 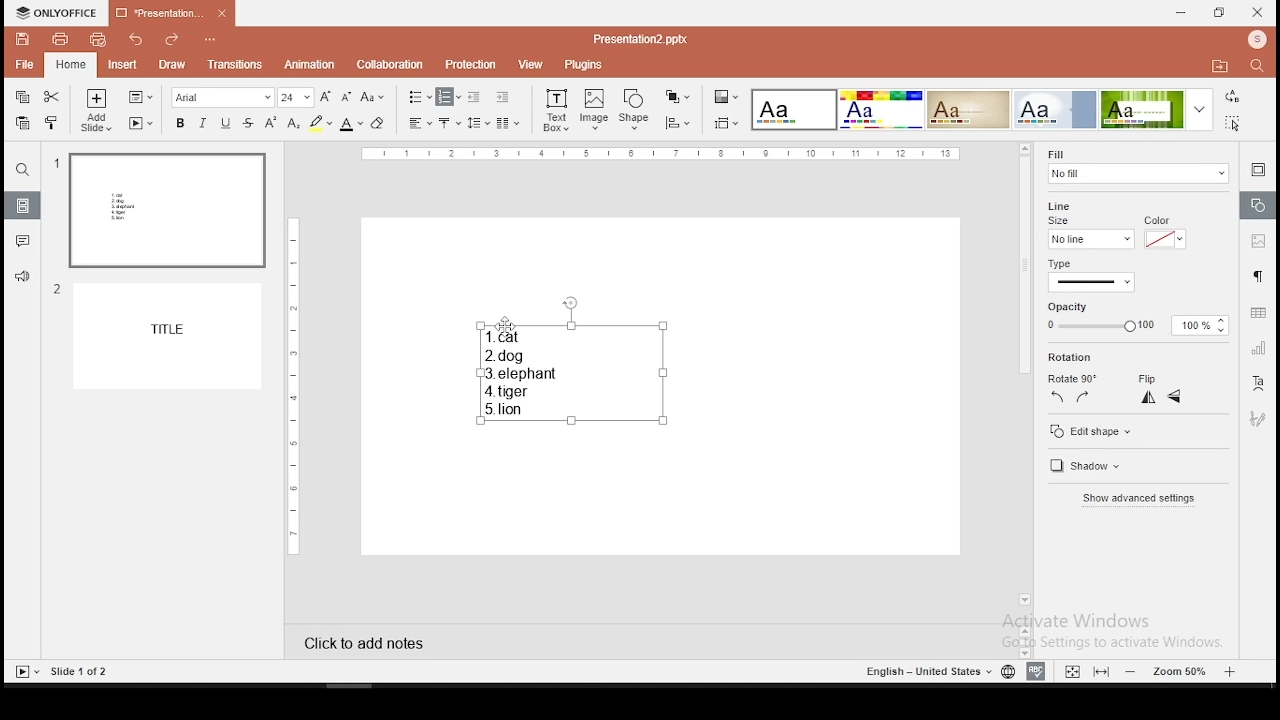 I want to click on icon, so click(x=57, y=14).